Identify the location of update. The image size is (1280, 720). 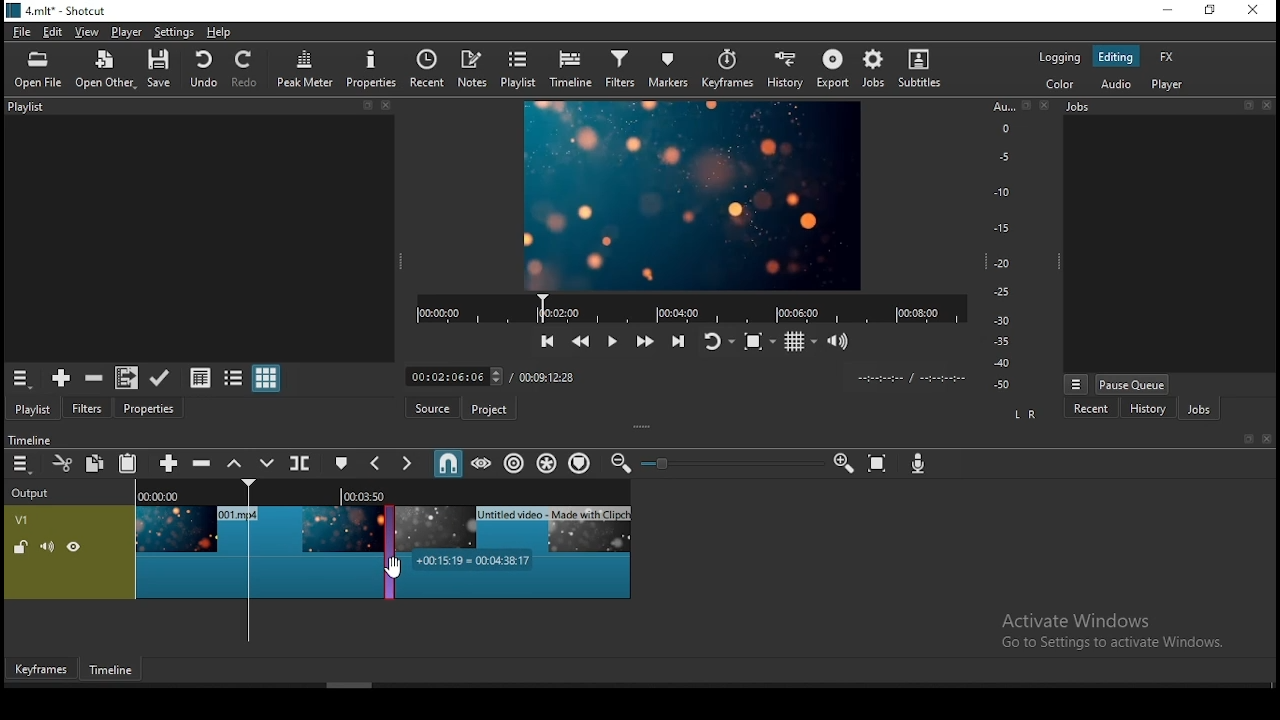
(159, 376).